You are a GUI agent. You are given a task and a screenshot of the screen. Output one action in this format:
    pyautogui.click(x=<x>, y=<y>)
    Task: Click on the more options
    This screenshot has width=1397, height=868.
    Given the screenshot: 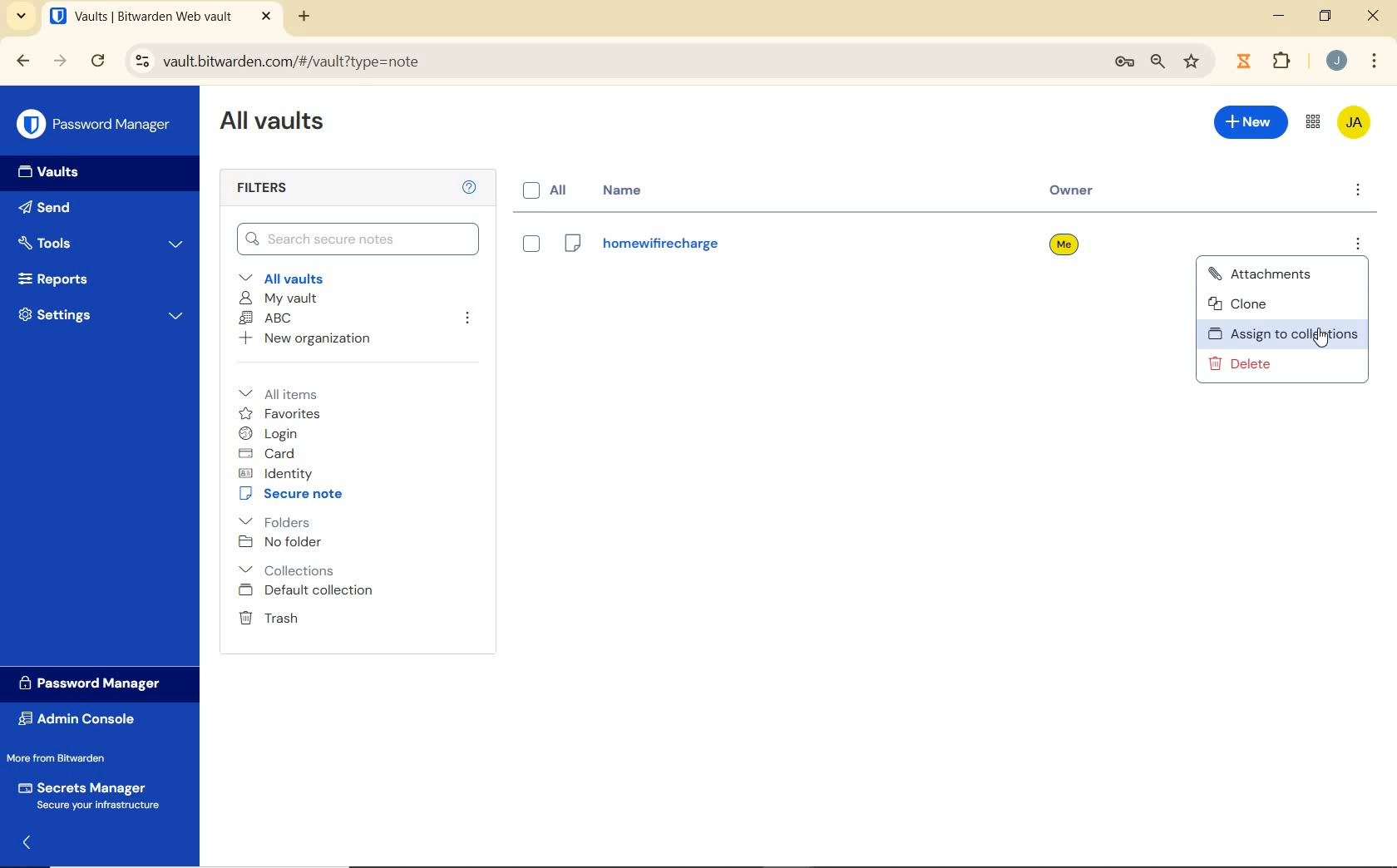 What is the action you would take?
    pyautogui.click(x=1358, y=237)
    